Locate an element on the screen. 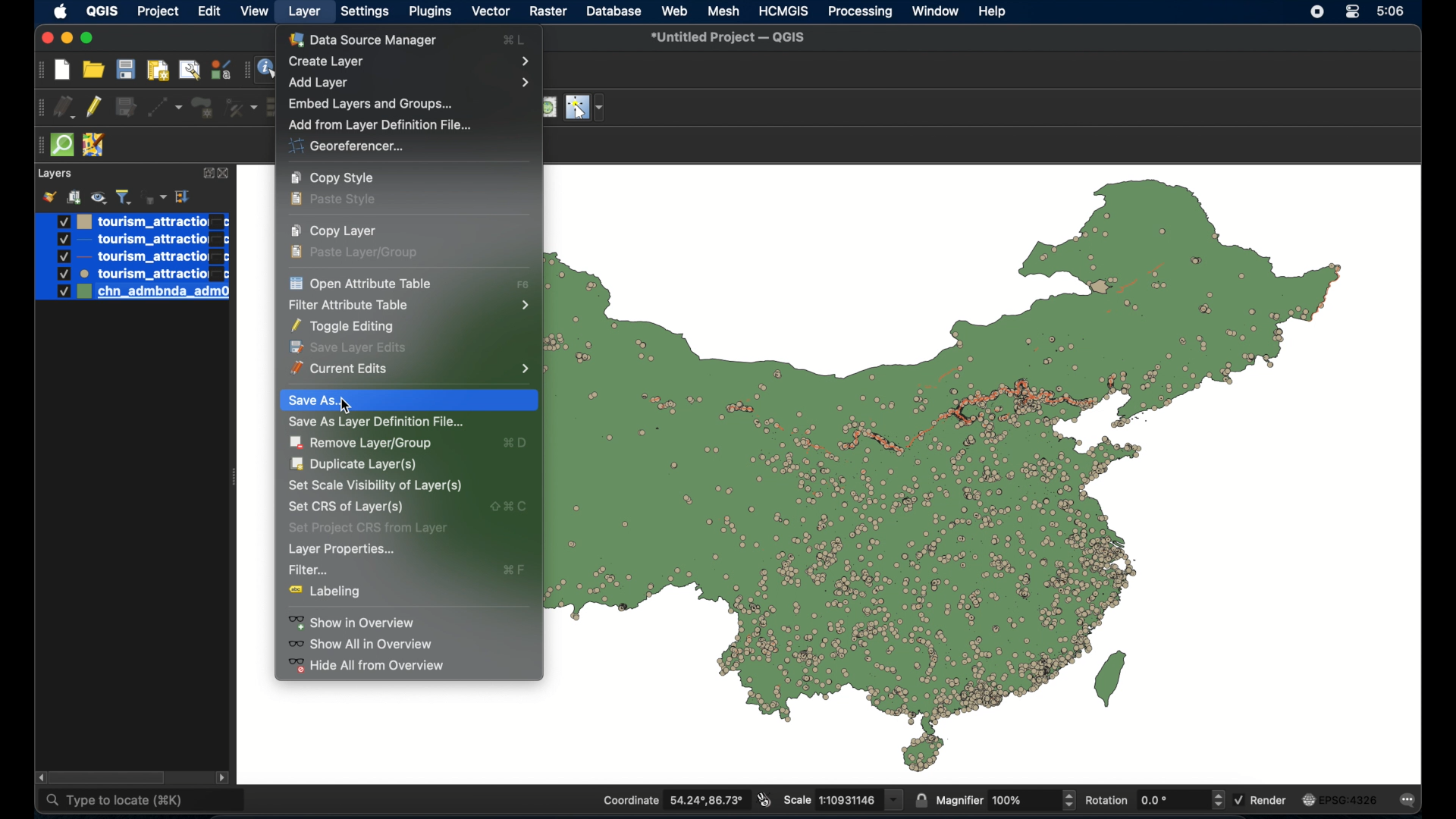  collapse all is located at coordinates (182, 196).